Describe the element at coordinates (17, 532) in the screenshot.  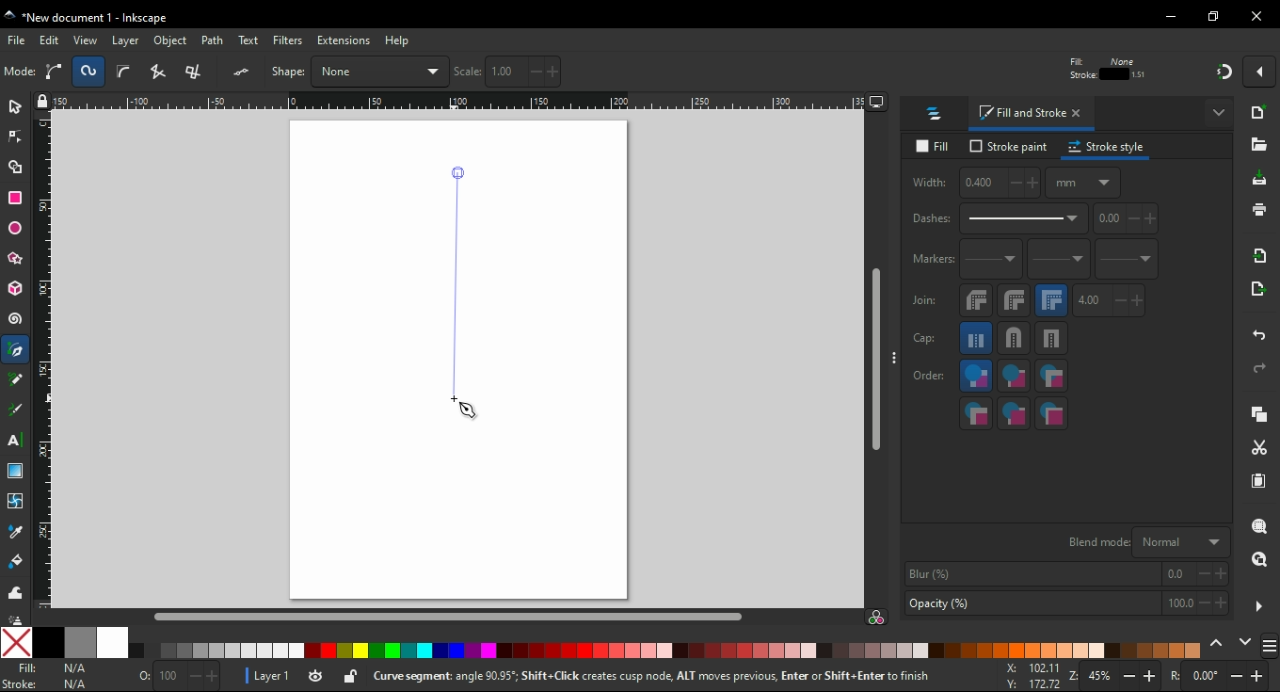
I see `dropper tool` at that location.